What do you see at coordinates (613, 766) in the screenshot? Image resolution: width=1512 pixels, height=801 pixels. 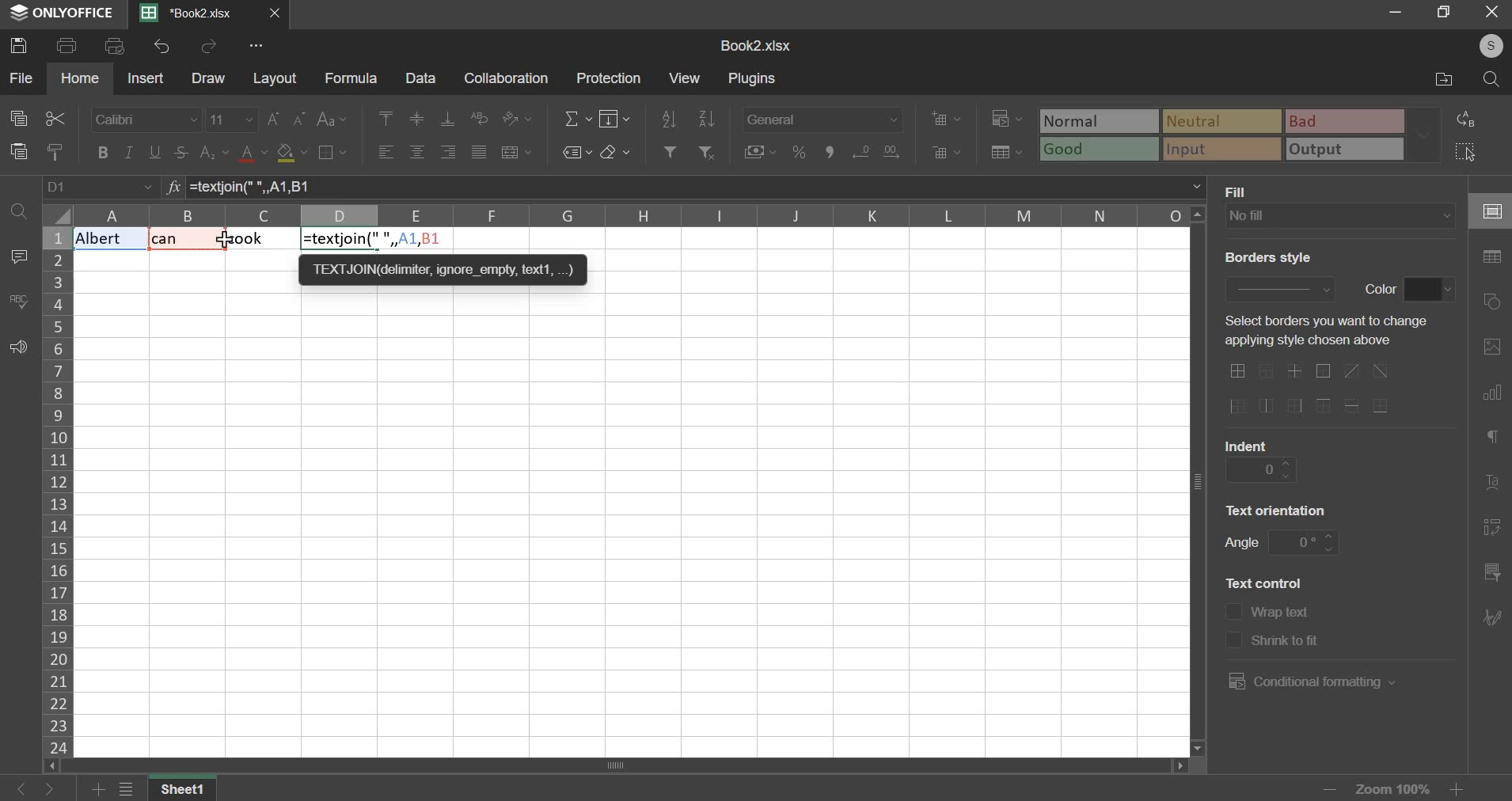 I see `scroll bar` at bounding box center [613, 766].